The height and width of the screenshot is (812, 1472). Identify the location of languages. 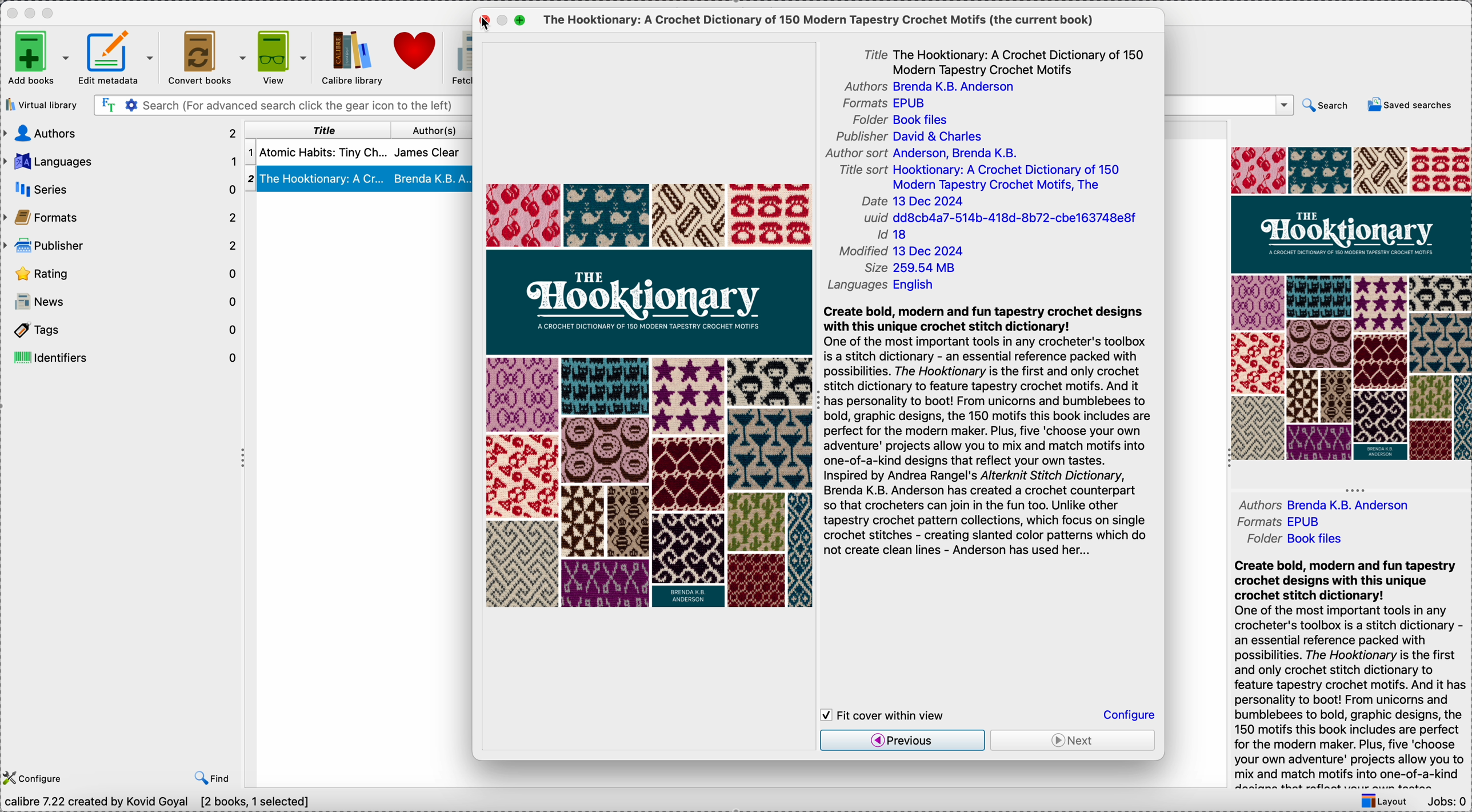
(122, 162).